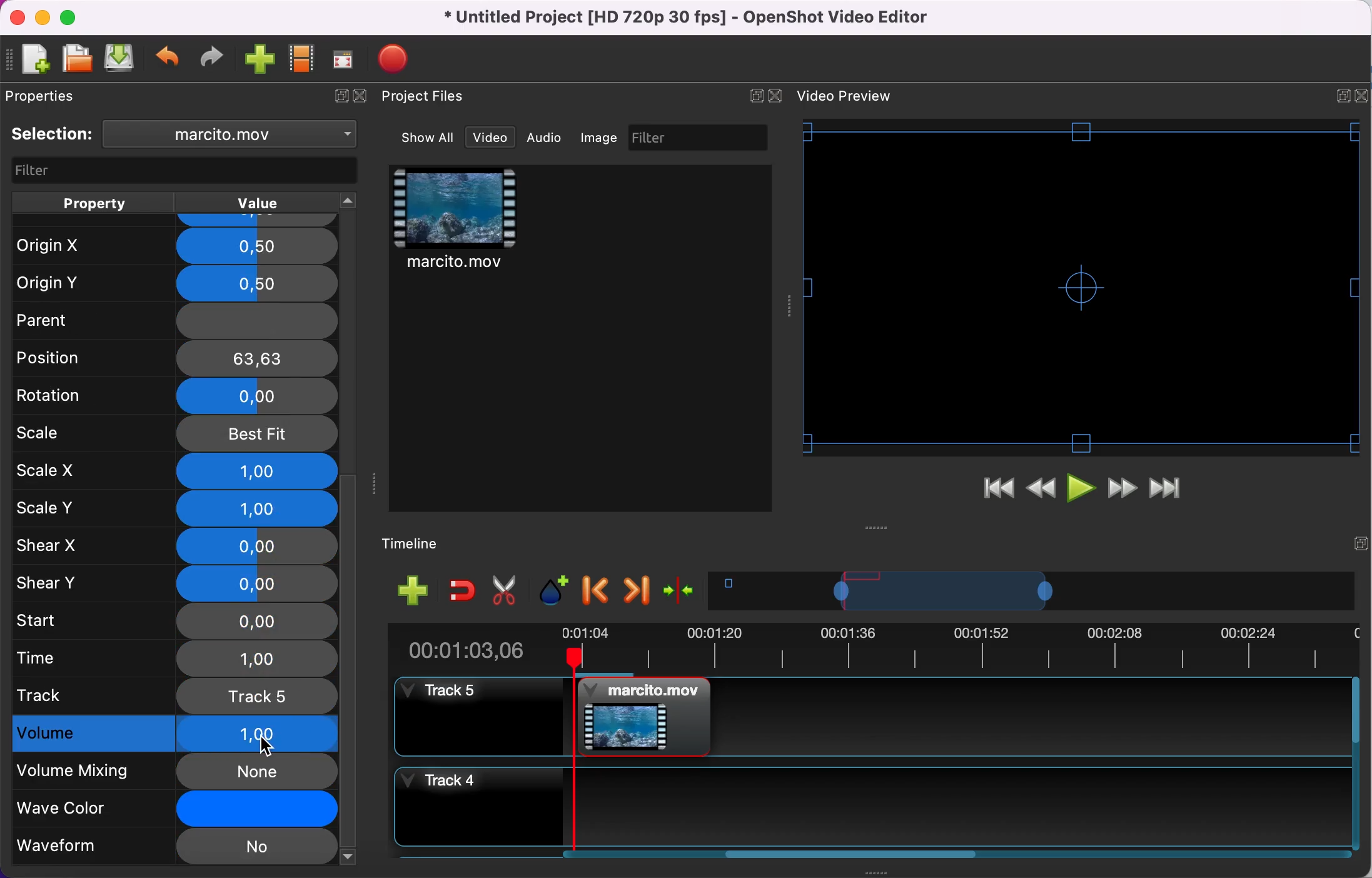 The height and width of the screenshot is (878, 1372). Describe the element at coordinates (1166, 490) in the screenshot. I see `jump to end` at that location.